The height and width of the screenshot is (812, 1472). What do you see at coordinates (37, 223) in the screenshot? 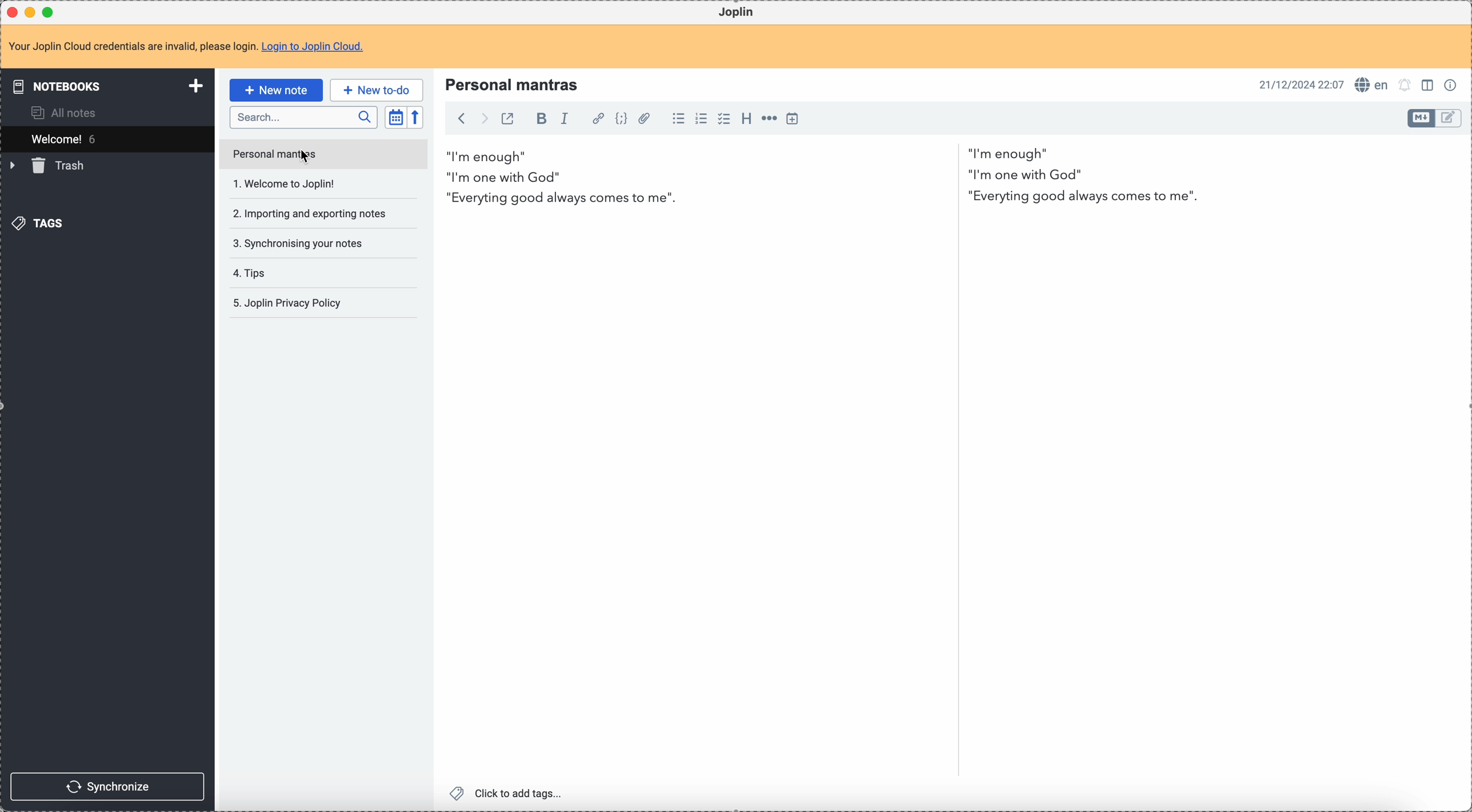
I see `tags` at bounding box center [37, 223].